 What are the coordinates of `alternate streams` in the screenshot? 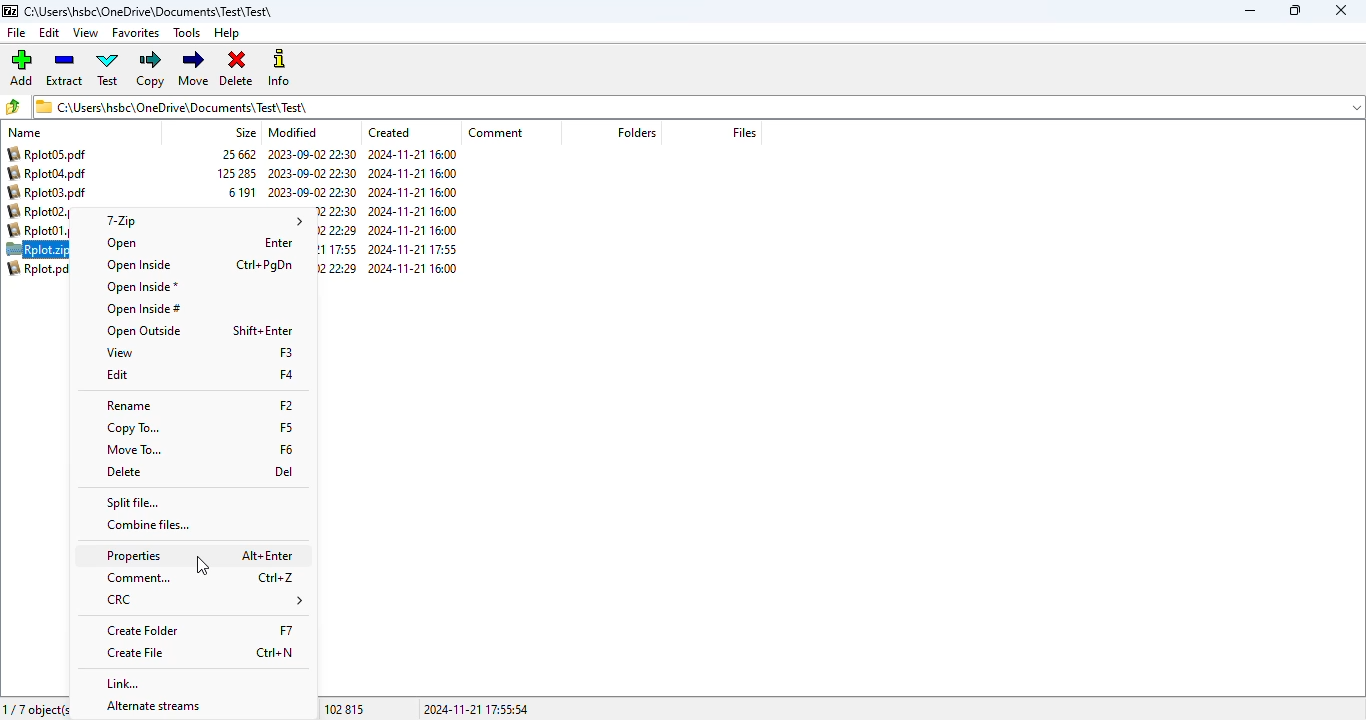 It's located at (155, 707).